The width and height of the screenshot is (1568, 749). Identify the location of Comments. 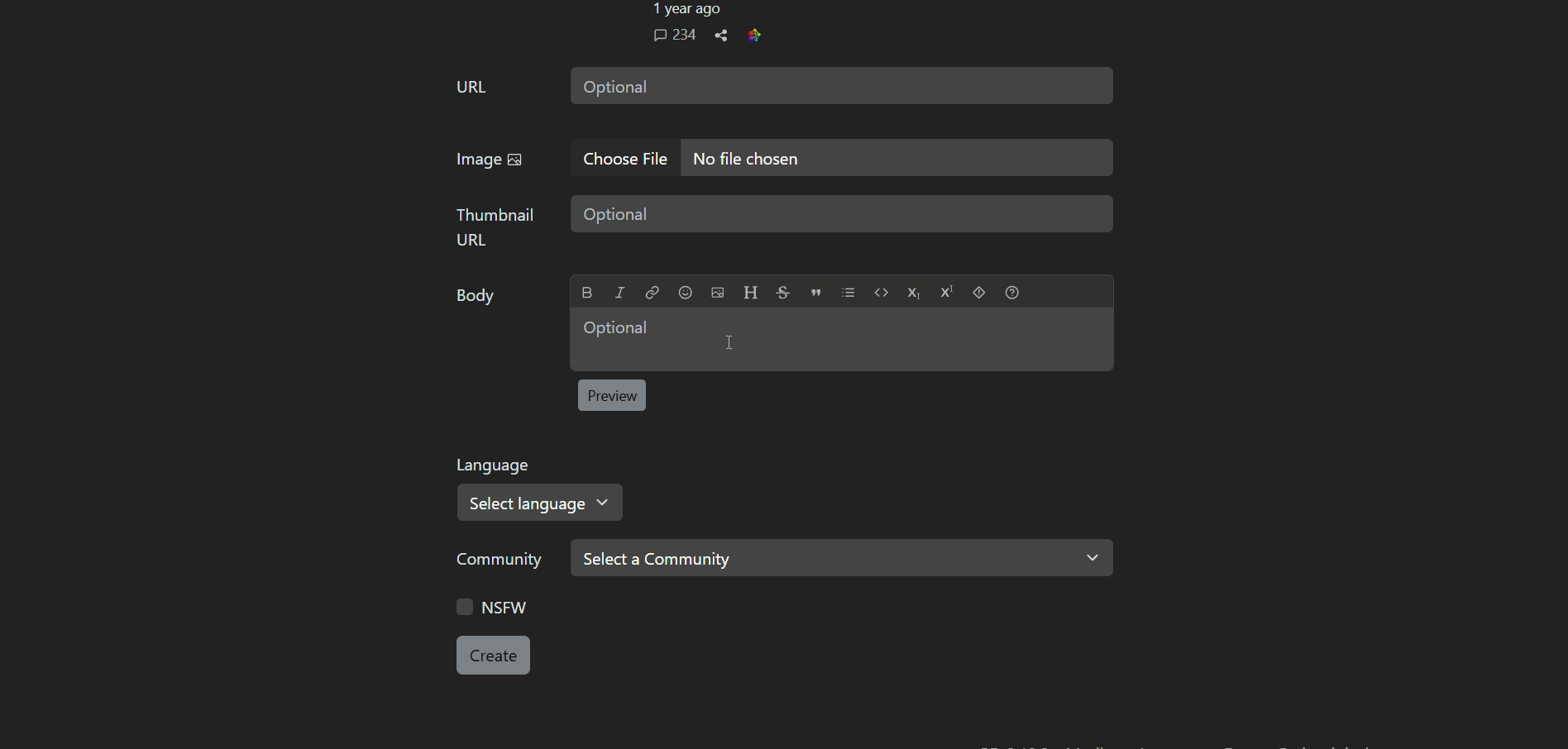
(674, 35).